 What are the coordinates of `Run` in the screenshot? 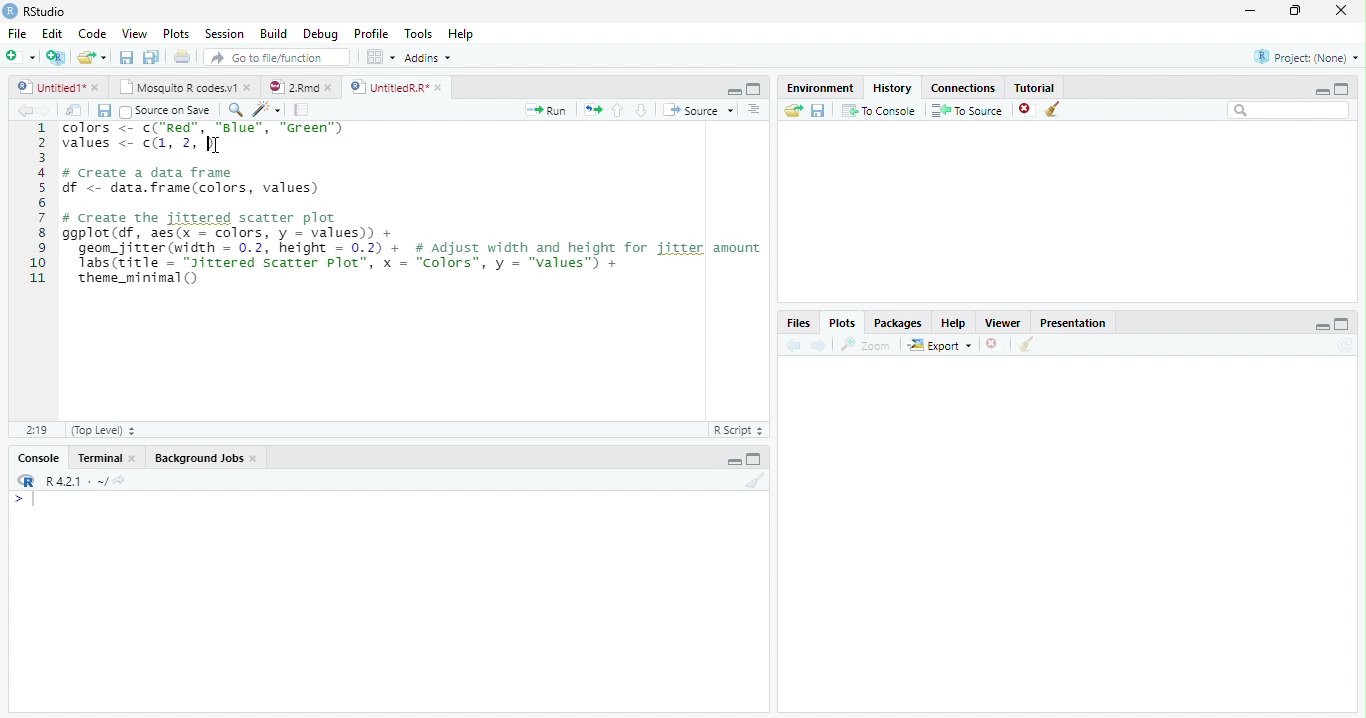 It's located at (546, 111).